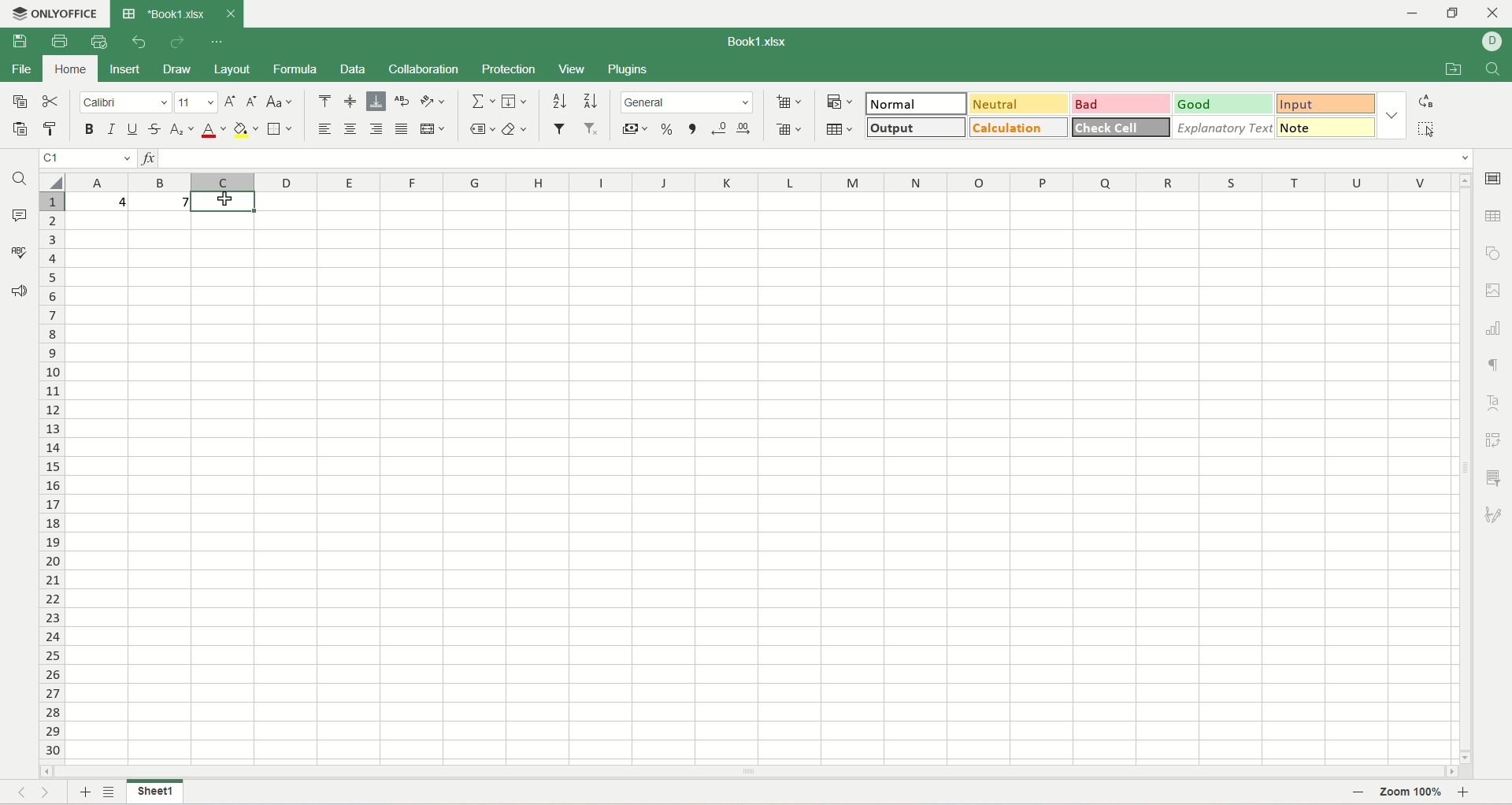  What do you see at coordinates (1453, 13) in the screenshot?
I see `maximize` at bounding box center [1453, 13].